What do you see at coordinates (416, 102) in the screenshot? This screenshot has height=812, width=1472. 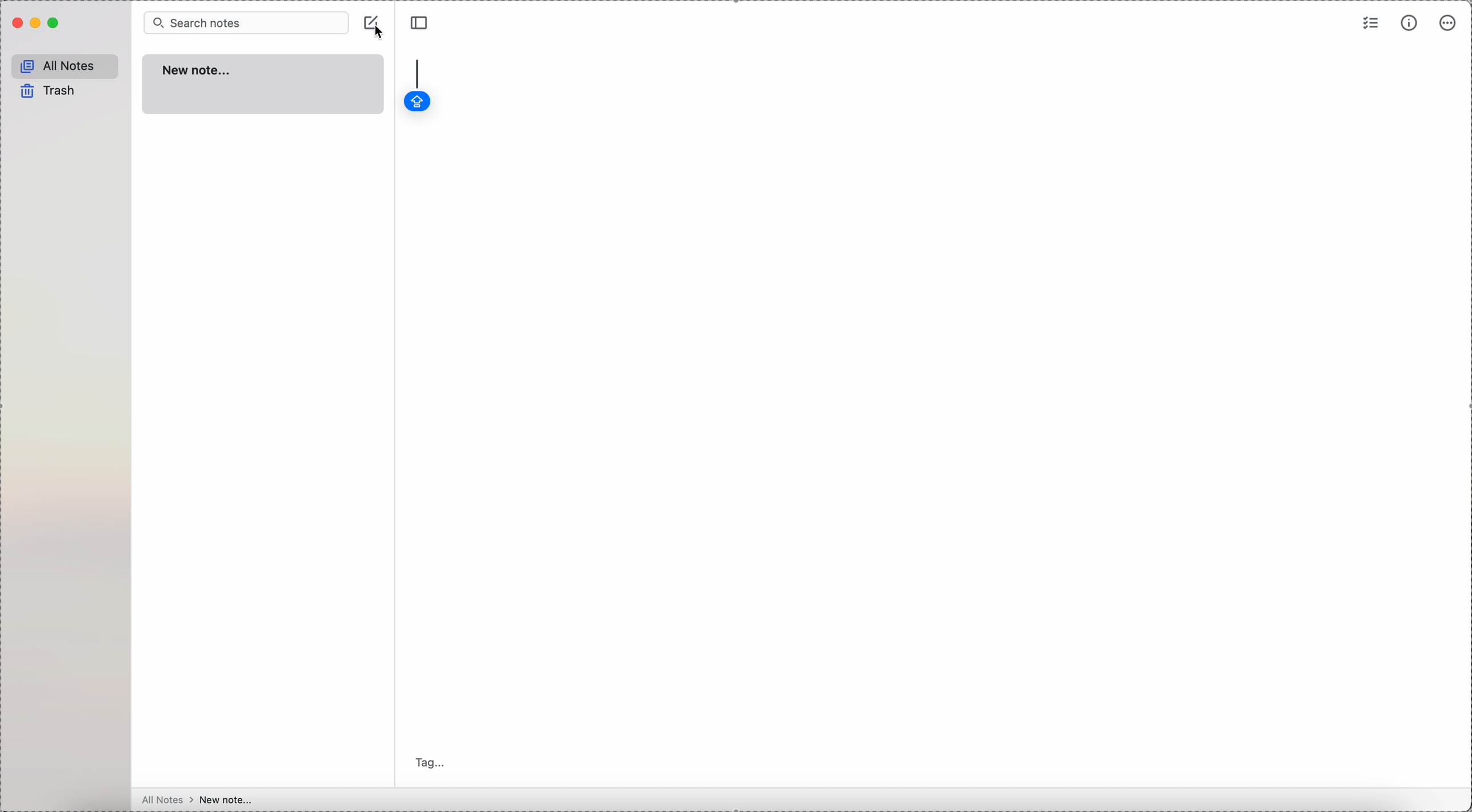 I see `mayusc on` at bounding box center [416, 102].